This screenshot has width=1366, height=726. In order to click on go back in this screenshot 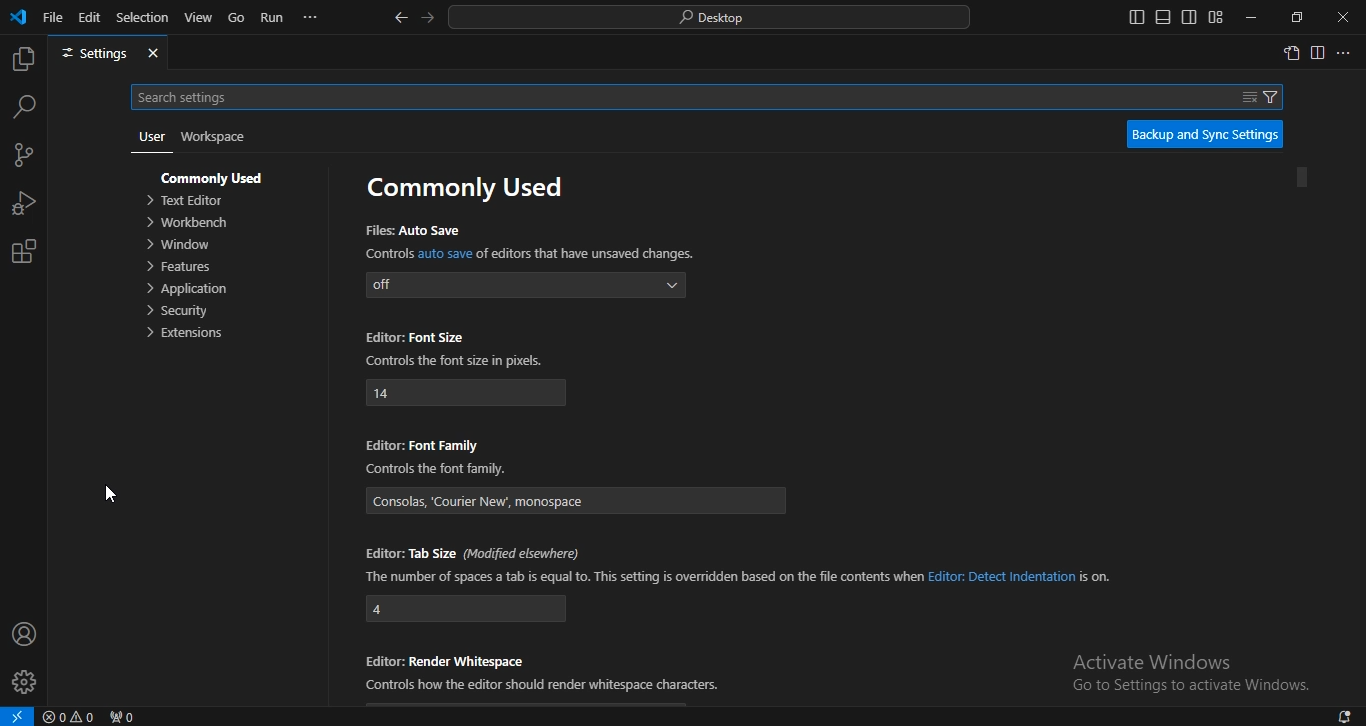, I will do `click(402, 19)`.